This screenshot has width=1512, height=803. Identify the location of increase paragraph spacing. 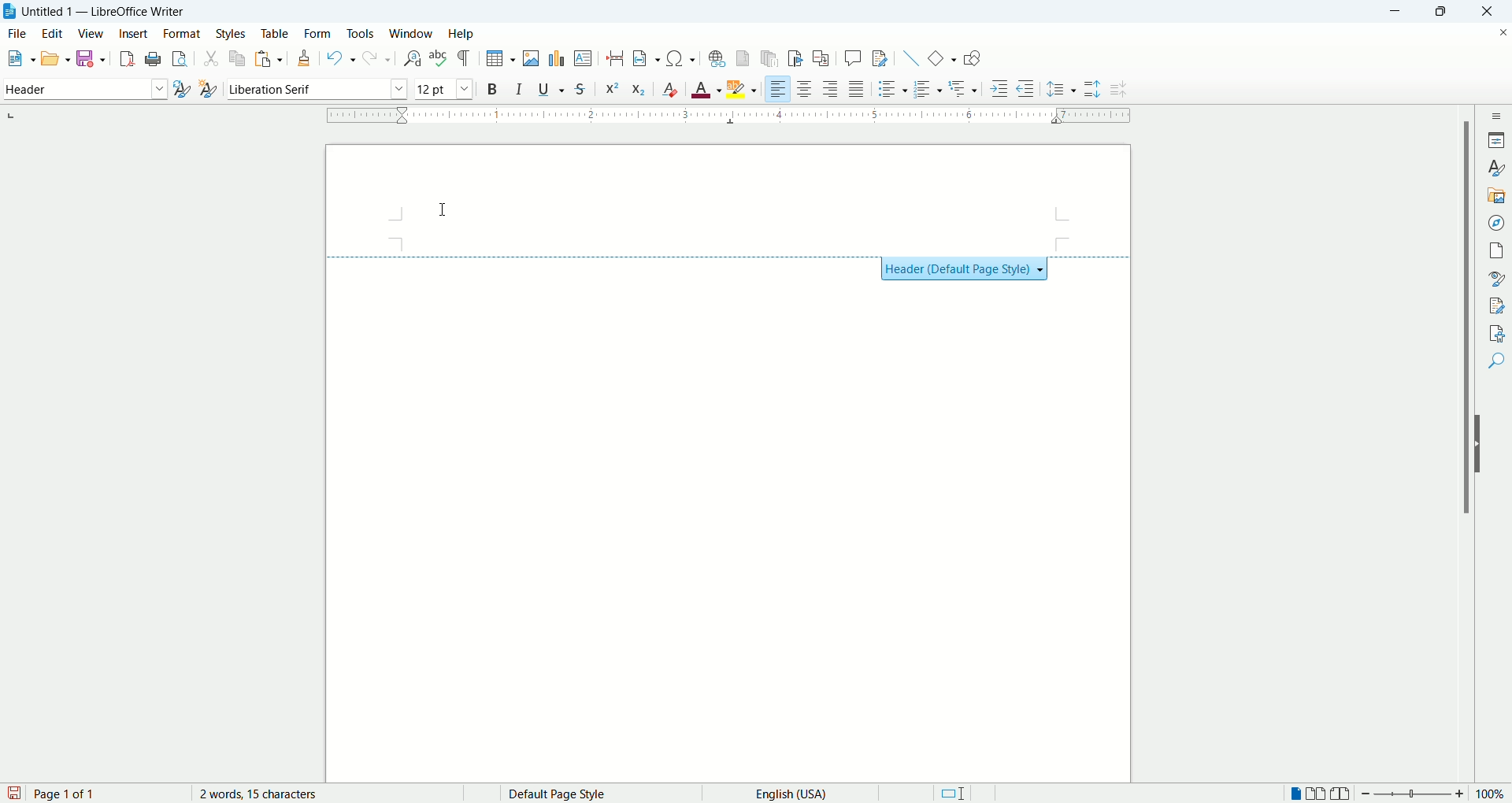
(1094, 89).